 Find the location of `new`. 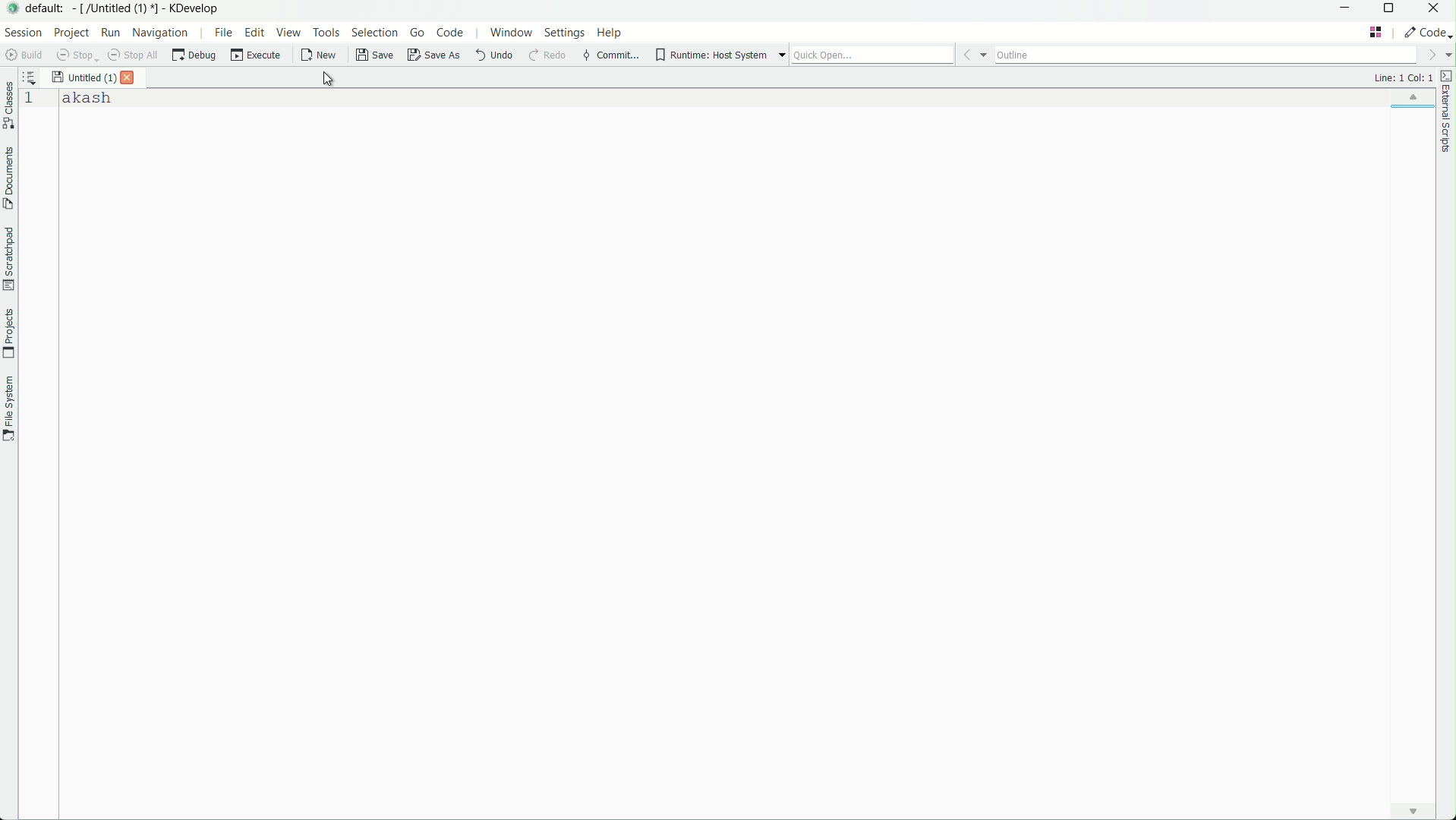

new is located at coordinates (319, 55).